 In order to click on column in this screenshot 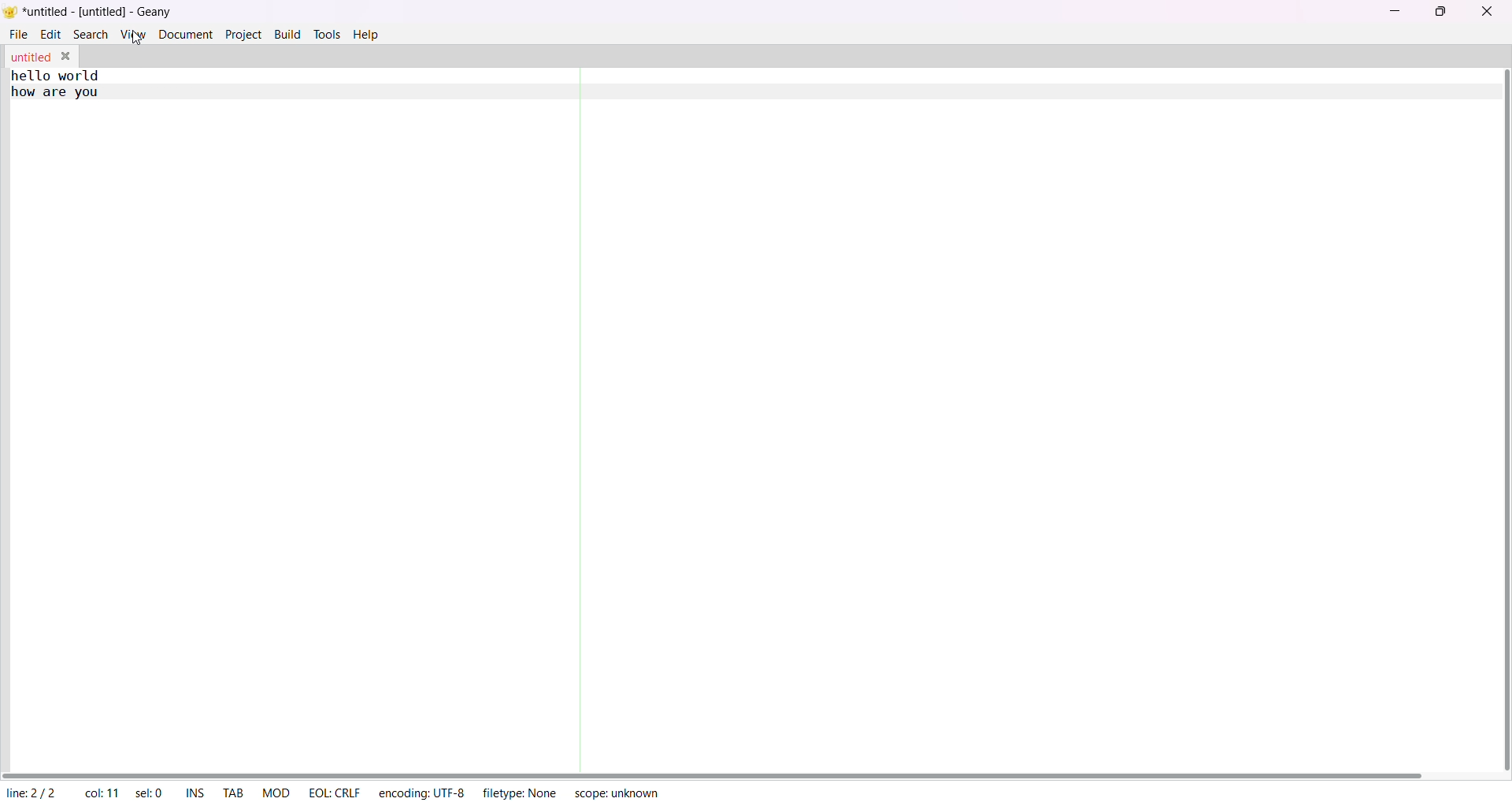, I will do `click(101, 793)`.